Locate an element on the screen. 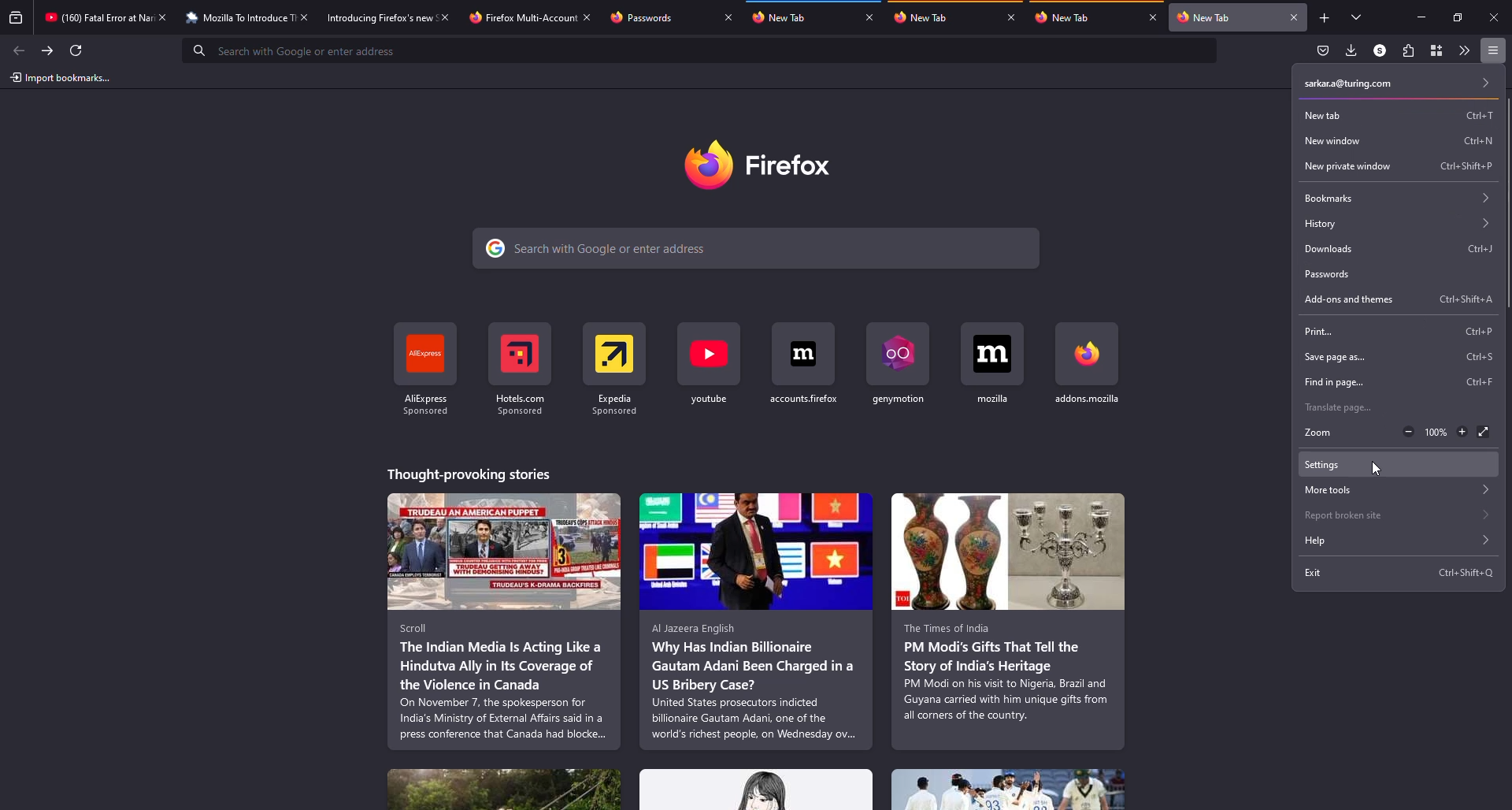  add tab is located at coordinates (1325, 18).